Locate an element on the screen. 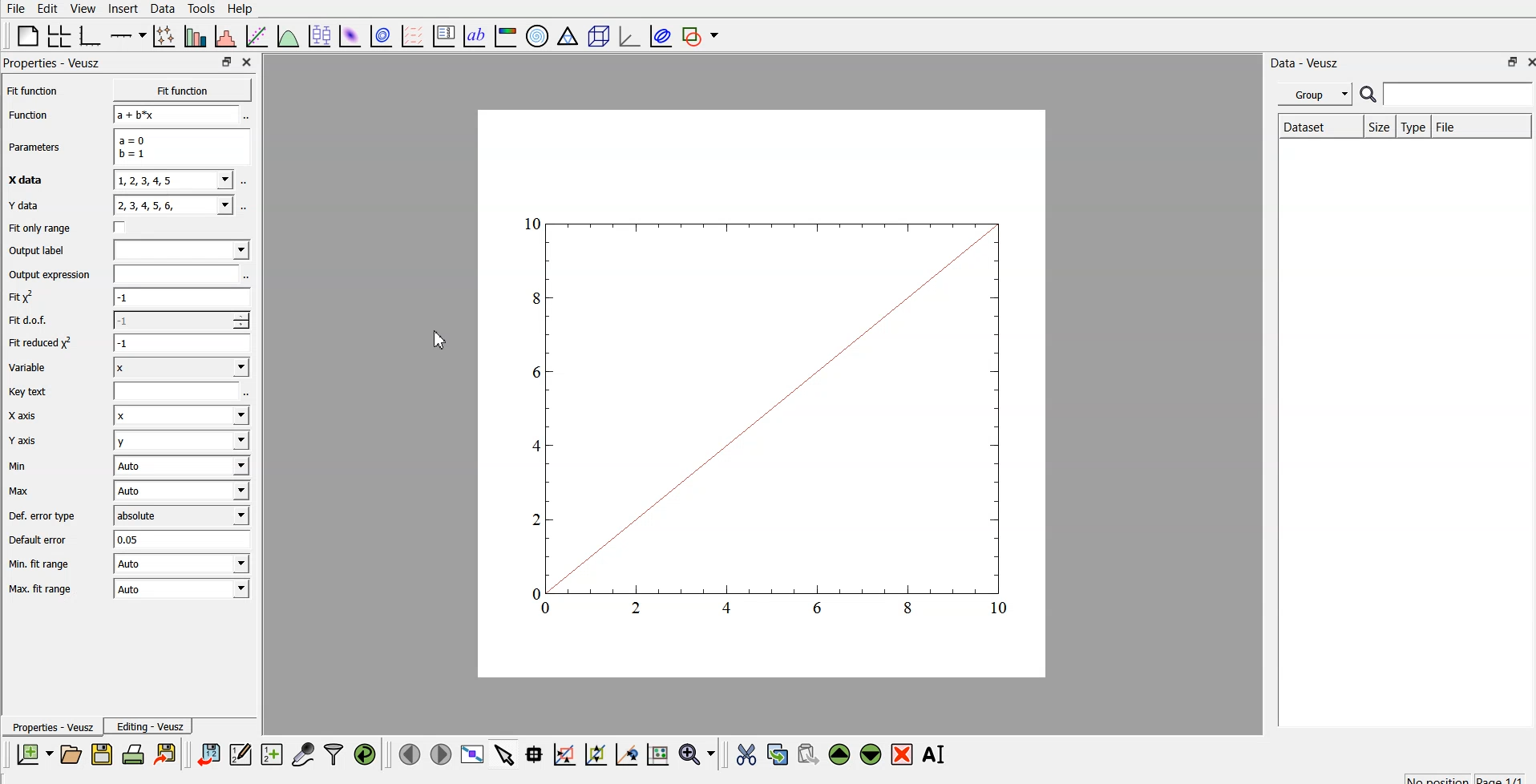  move down the selected widget is located at coordinates (871, 754).